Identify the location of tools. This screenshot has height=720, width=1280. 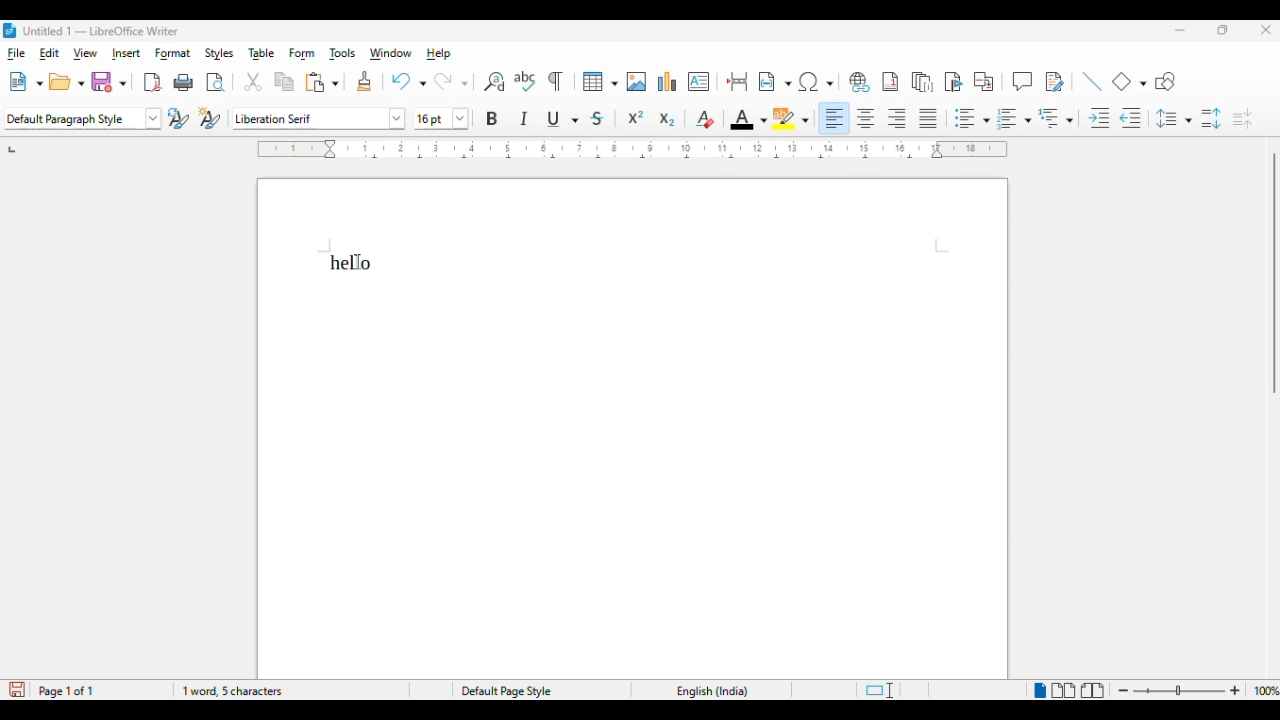
(343, 55).